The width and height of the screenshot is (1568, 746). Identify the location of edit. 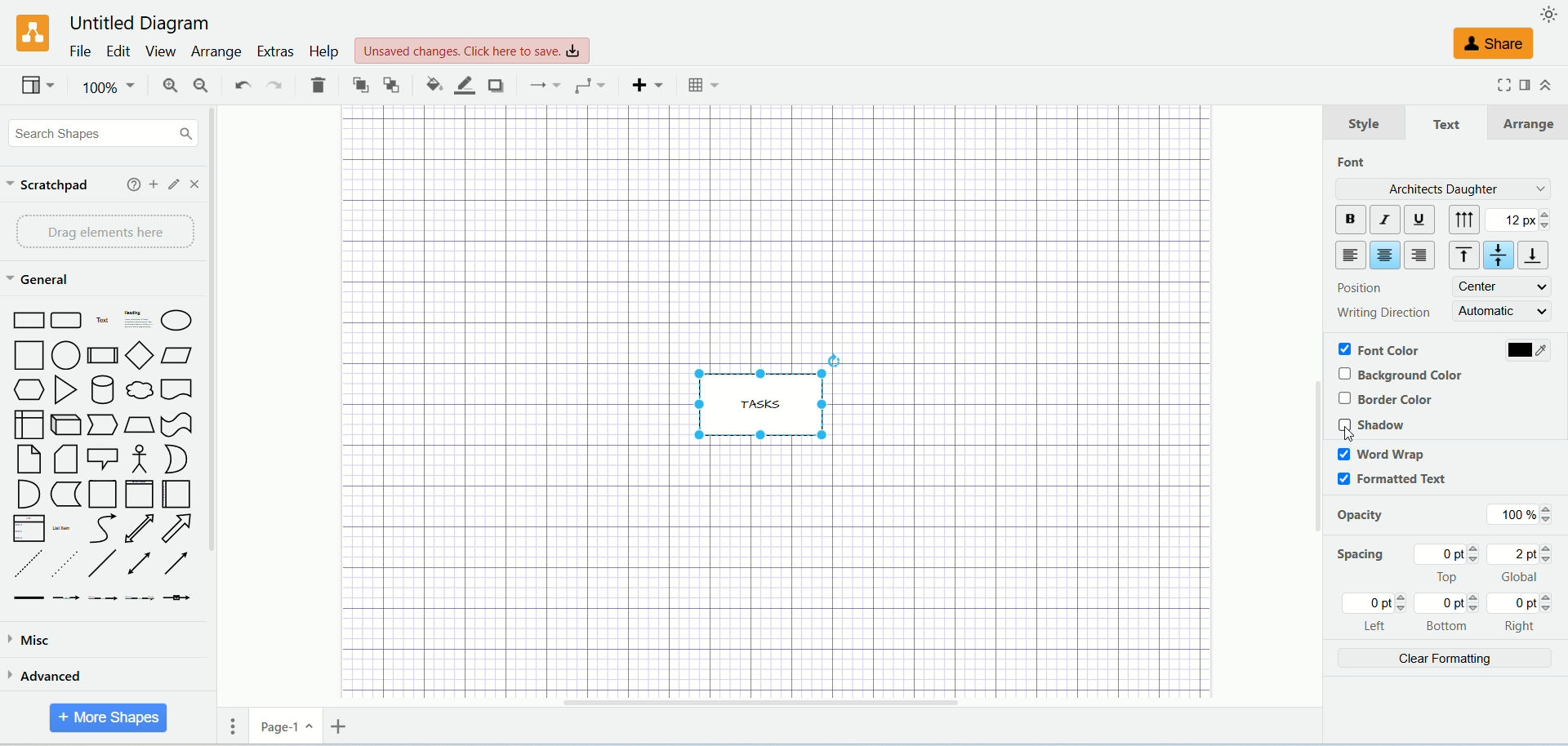
(176, 184).